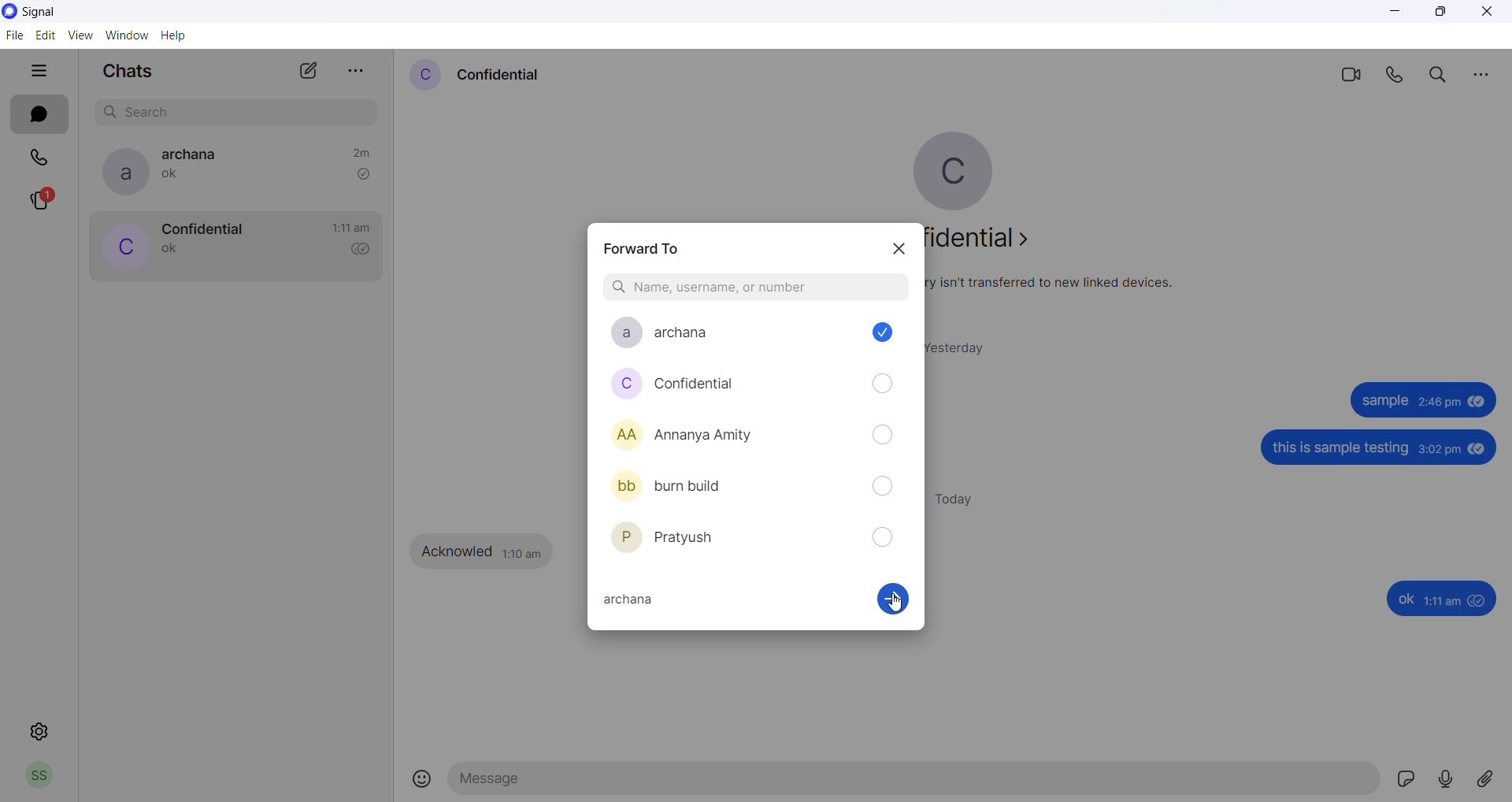 The image size is (1512, 802). What do you see at coordinates (196, 154) in the screenshot?
I see `contact name` at bounding box center [196, 154].